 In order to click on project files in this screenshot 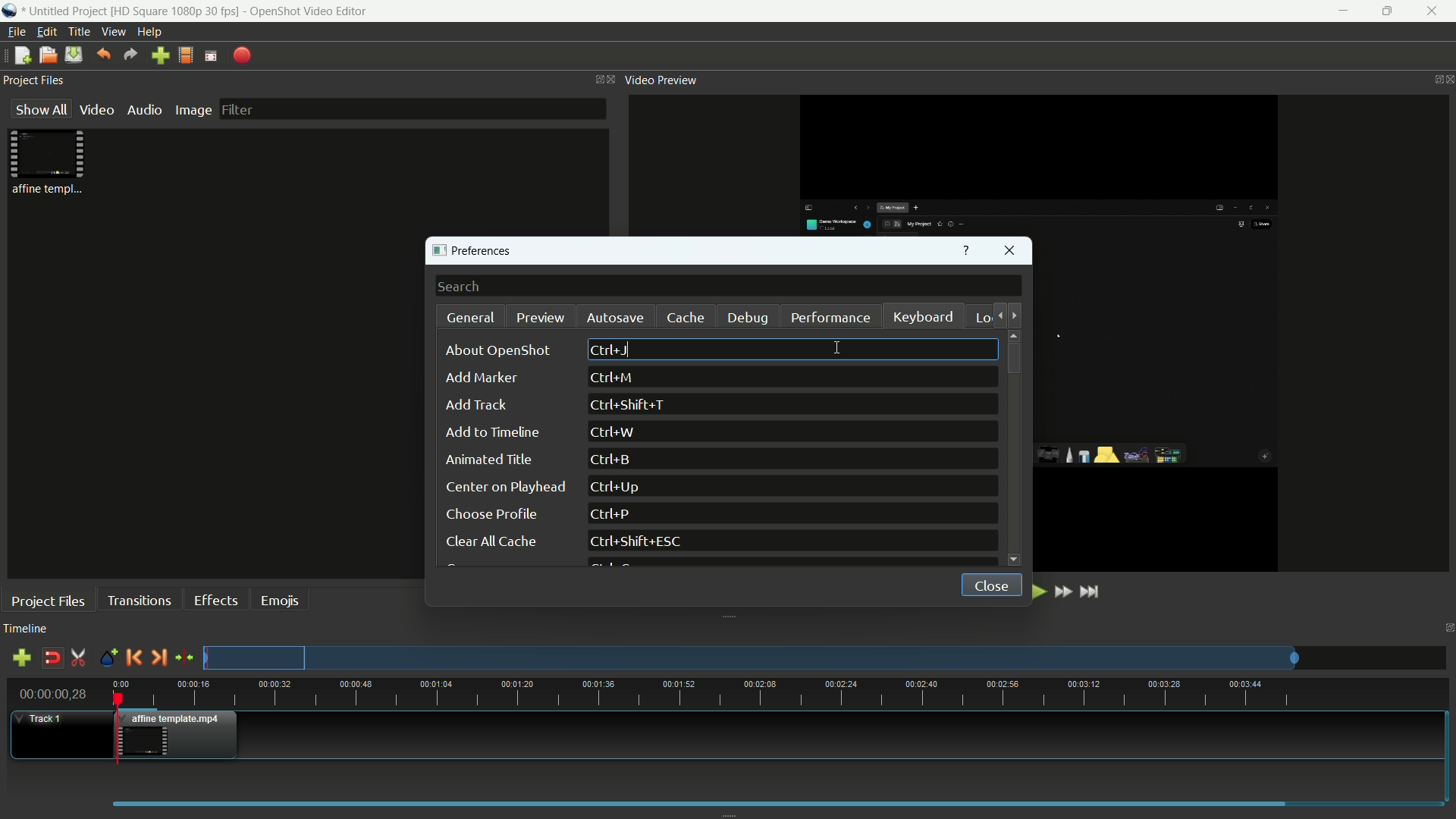, I will do `click(49, 601)`.